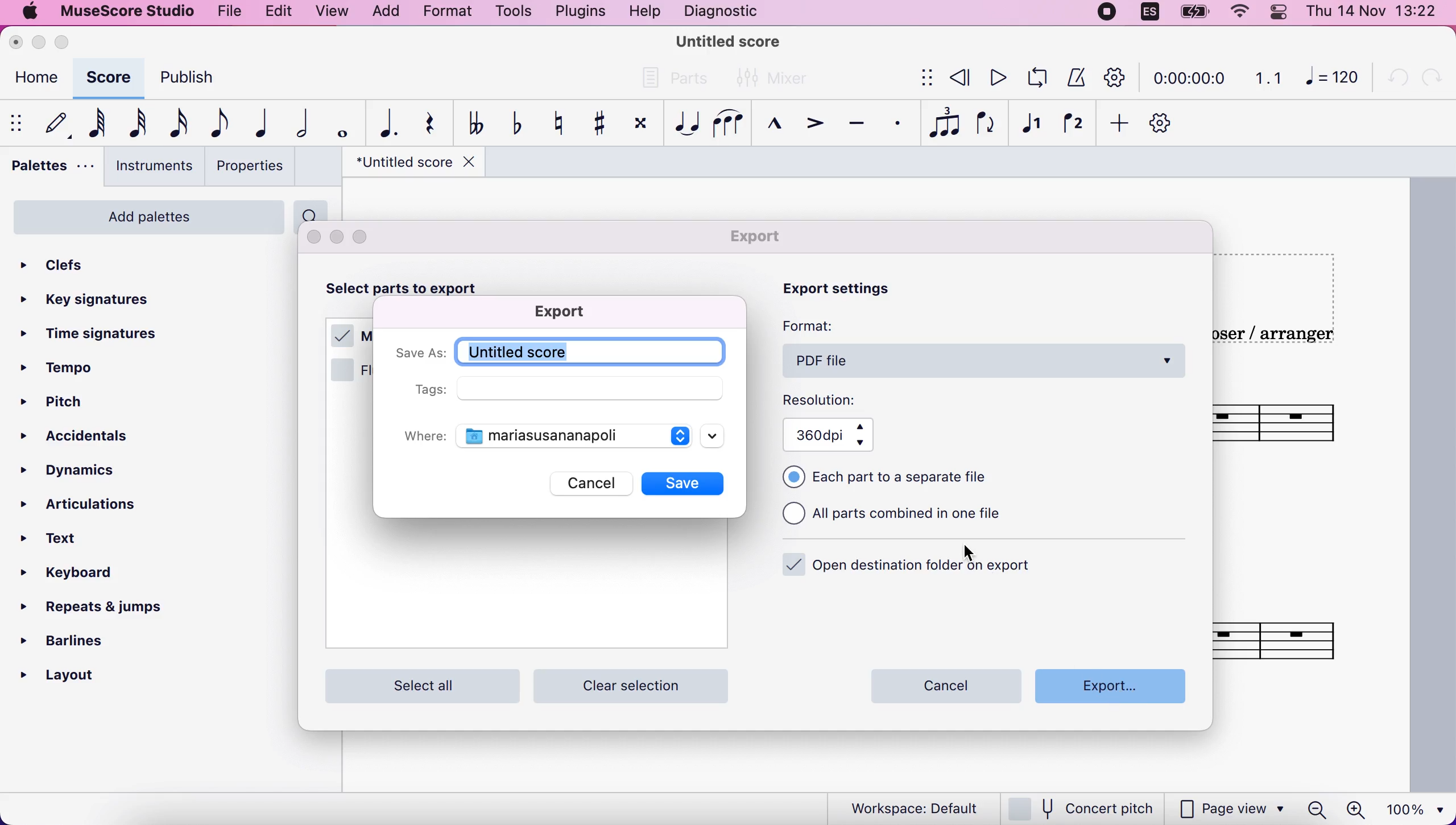  I want to click on mac logo, so click(29, 13).